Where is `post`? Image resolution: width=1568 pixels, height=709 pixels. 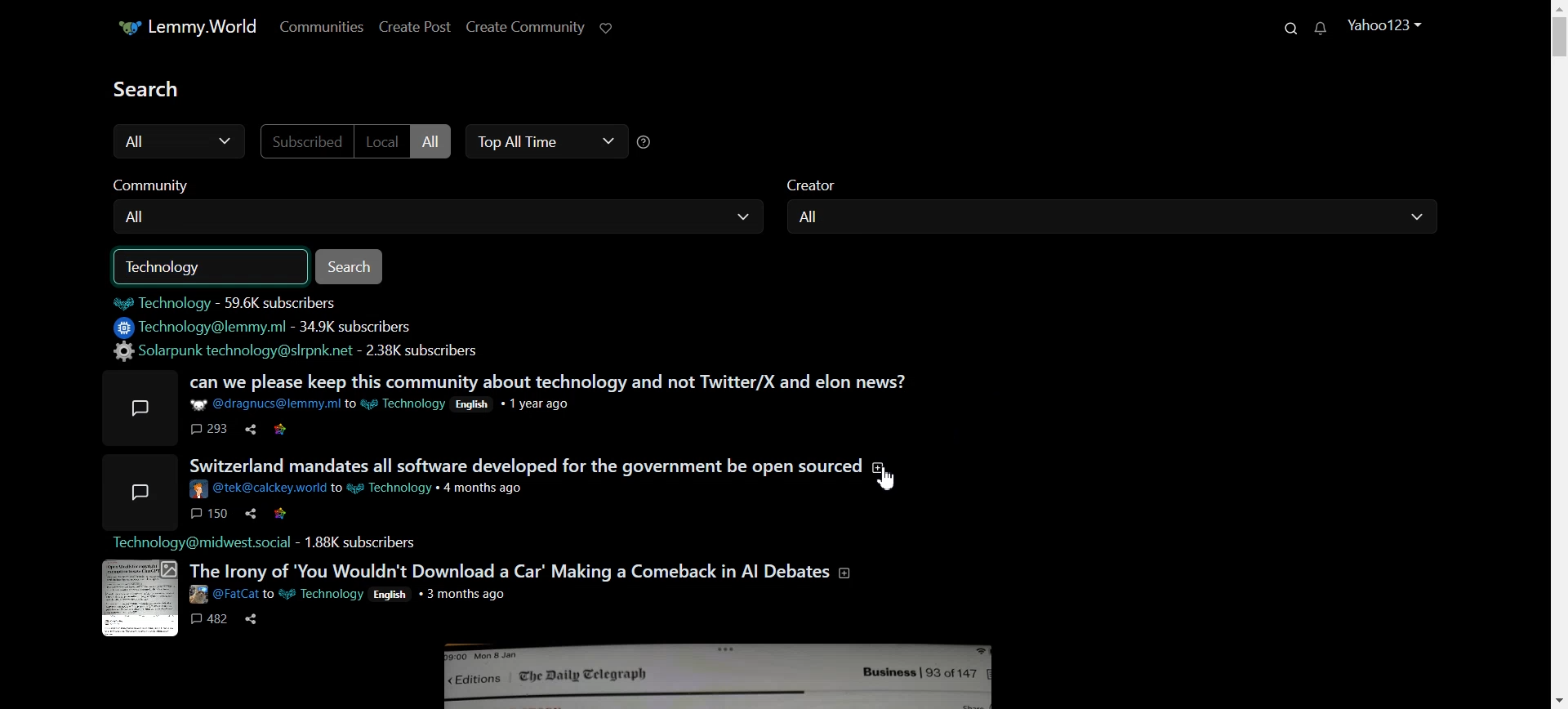 post is located at coordinates (144, 408).